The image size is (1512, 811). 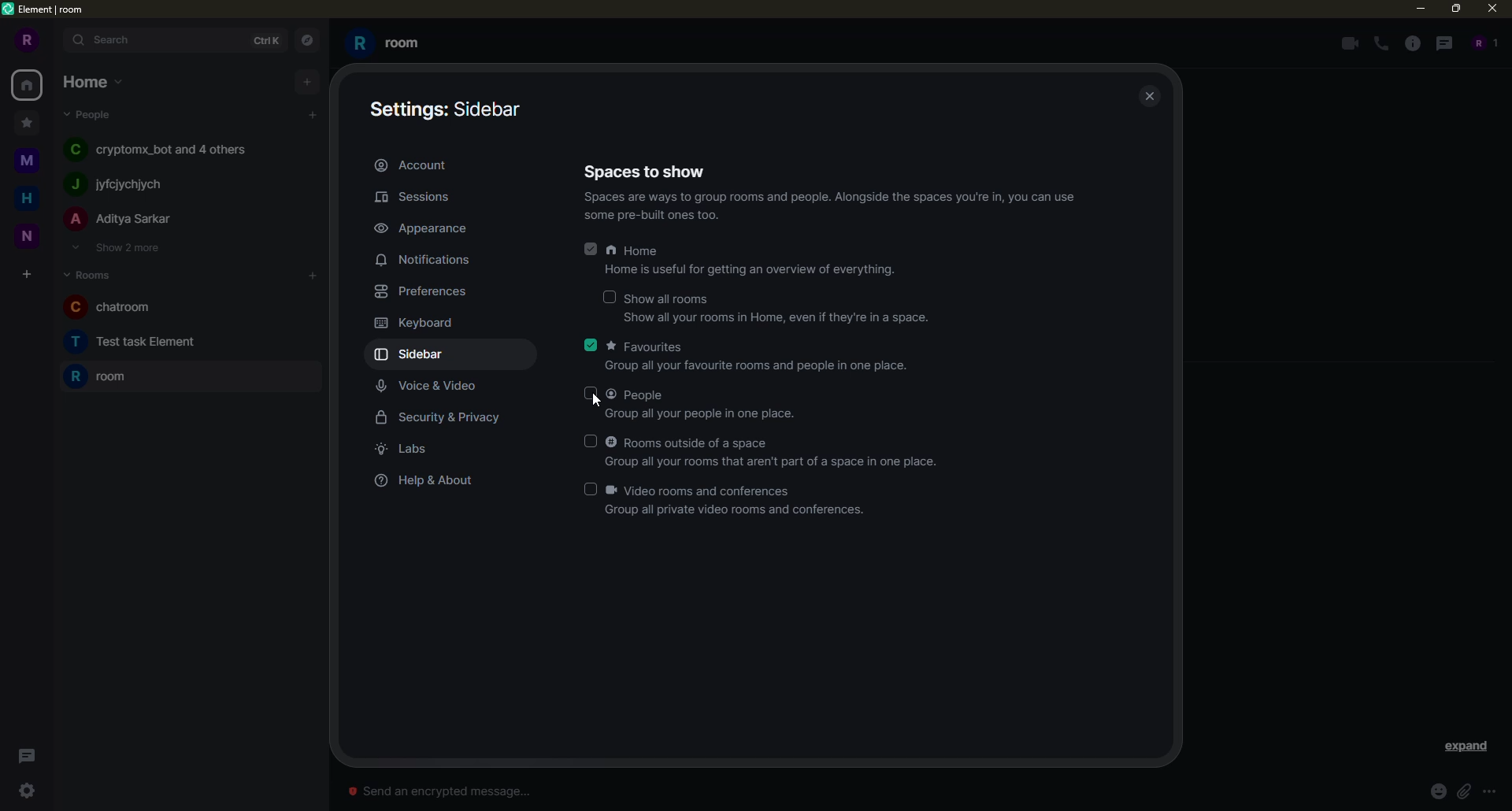 What do you see at coordinates (1447, 43) in the screenshot?
I see `threads` at bounding box center [1447, 43].